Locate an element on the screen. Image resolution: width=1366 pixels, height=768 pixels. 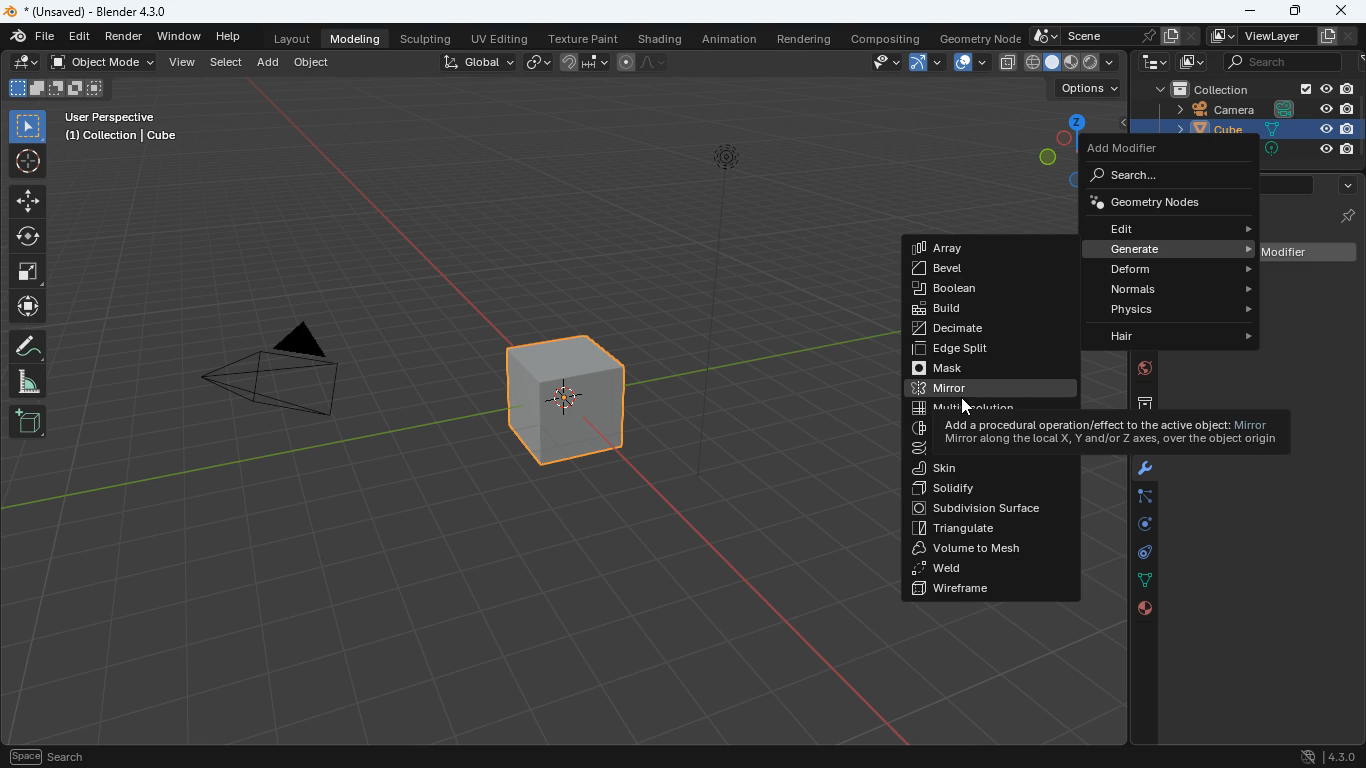
fullscreen is located at coordinates (63, 88).